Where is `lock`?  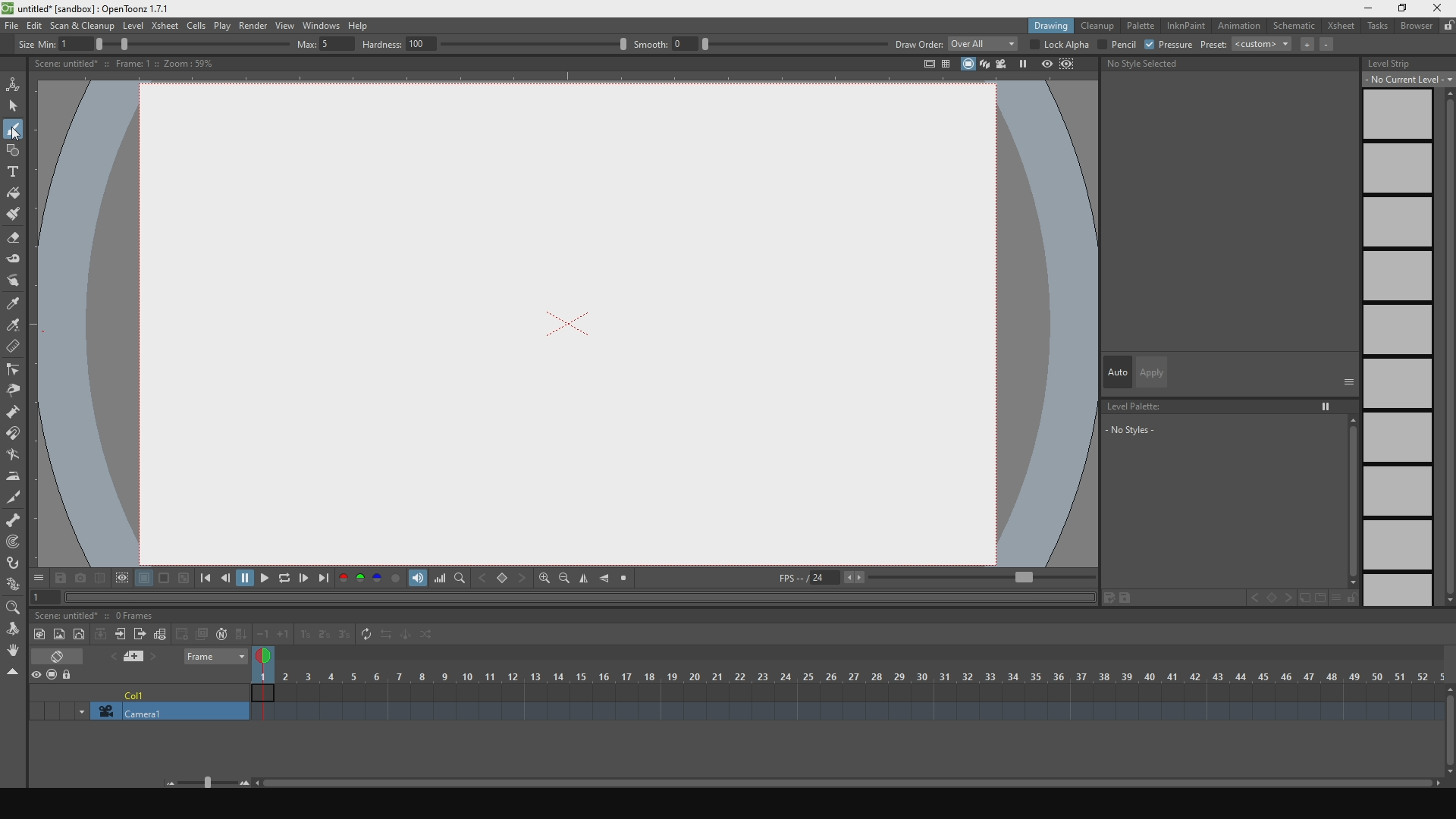 lock is located at coordinates (1447, 27).